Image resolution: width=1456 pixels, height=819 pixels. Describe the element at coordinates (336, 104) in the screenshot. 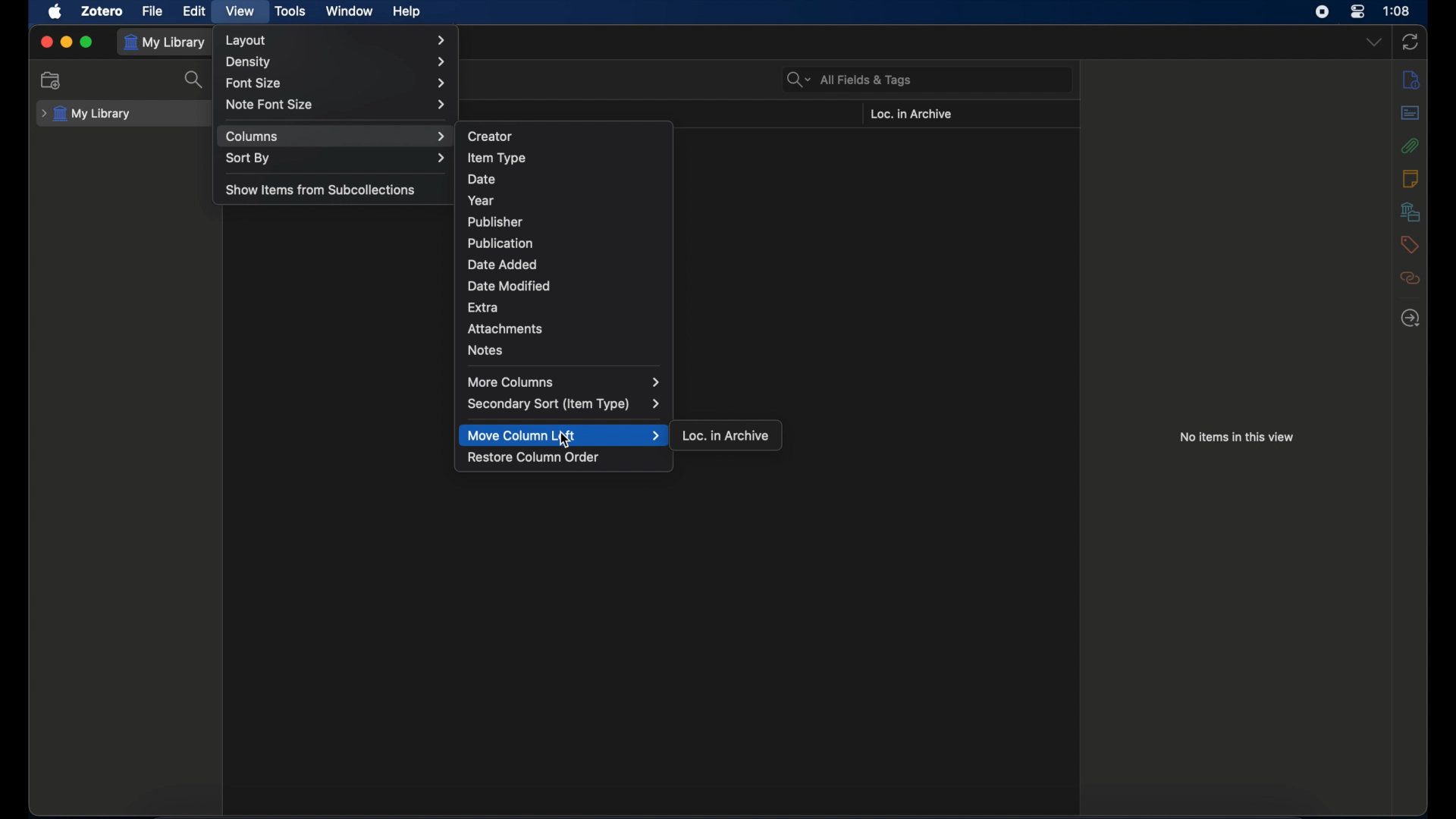

I see `note font size` at that location.